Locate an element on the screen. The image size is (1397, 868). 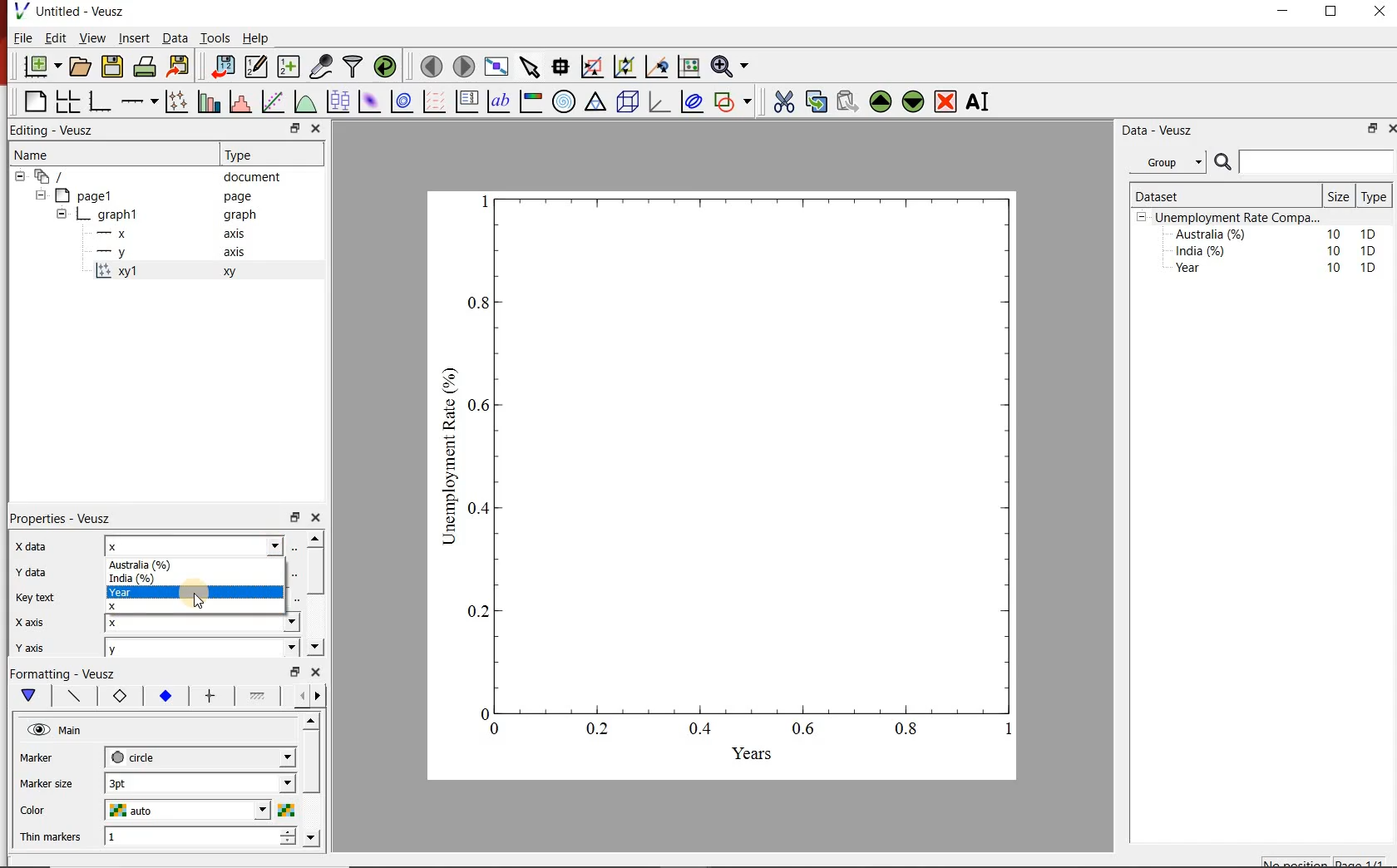
error bar line is located at coordinates (211, 696).